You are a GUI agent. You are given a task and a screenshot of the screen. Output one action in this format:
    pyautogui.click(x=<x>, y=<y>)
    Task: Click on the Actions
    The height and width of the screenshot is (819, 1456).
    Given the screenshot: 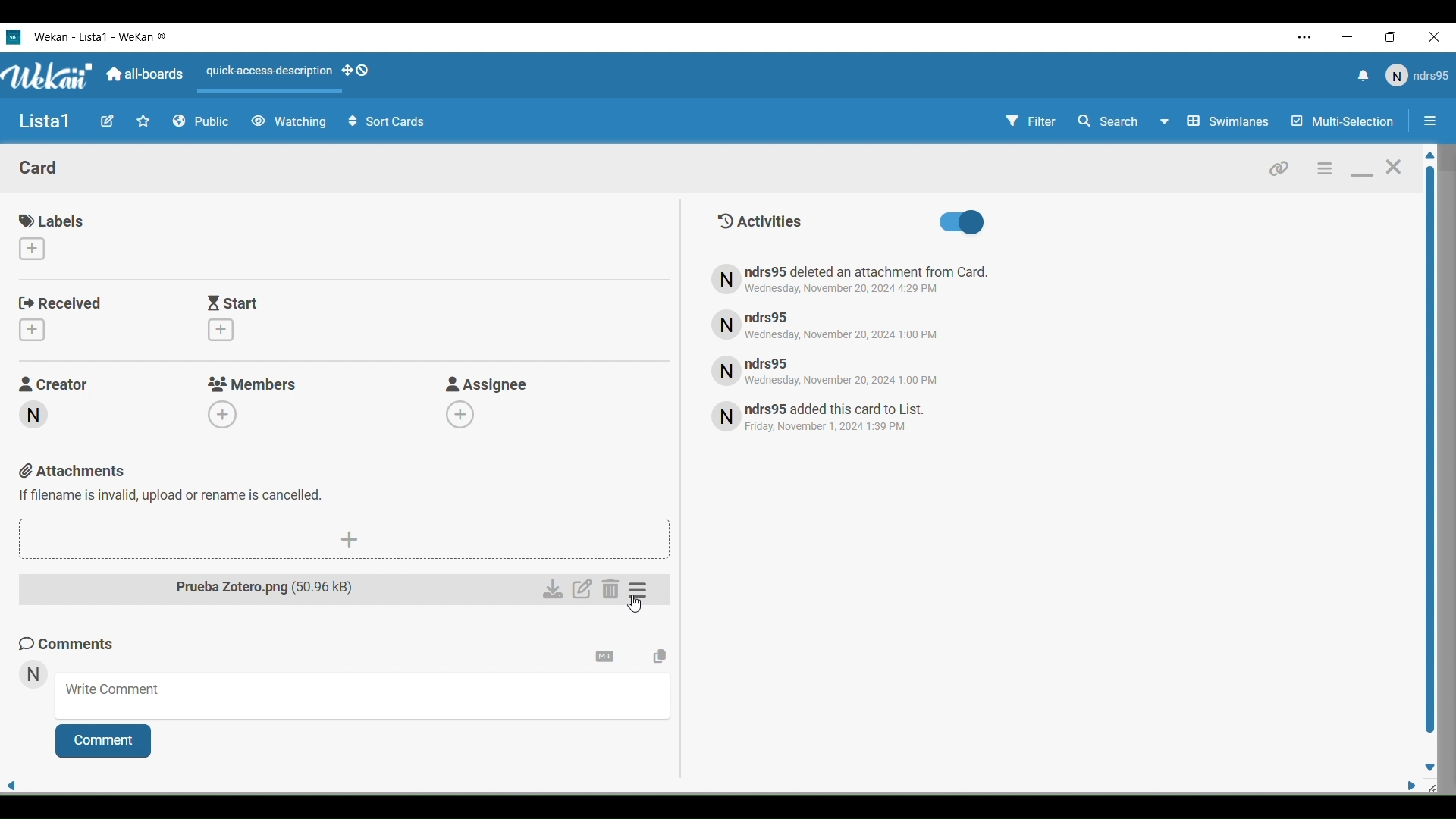 What is the action you would take?
    pyautogui.click(x=293, y=75)
    